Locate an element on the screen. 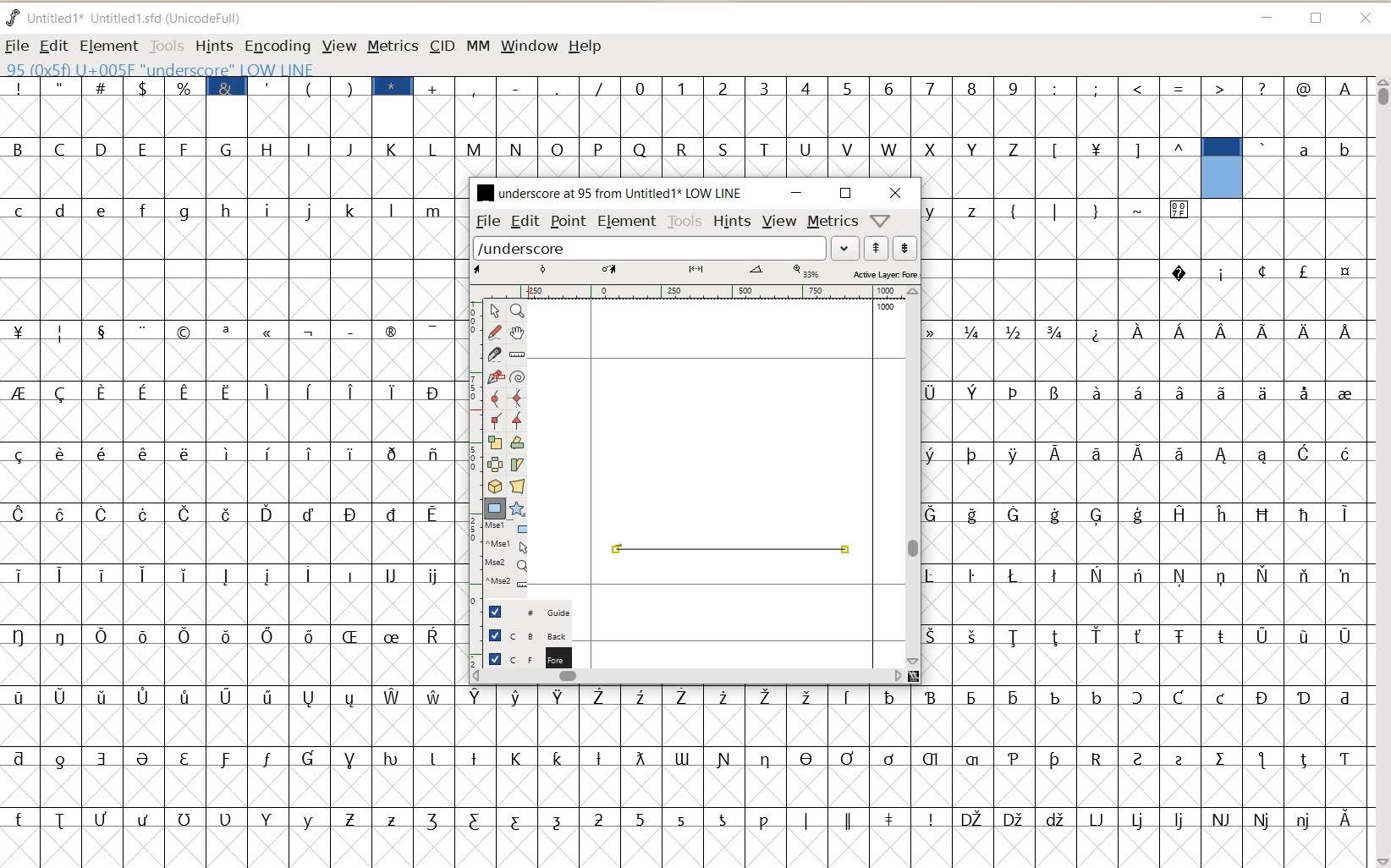 The image size is (1391, 868). add a curve point always either horizontal or vertical is located at coordinates (518, 397).